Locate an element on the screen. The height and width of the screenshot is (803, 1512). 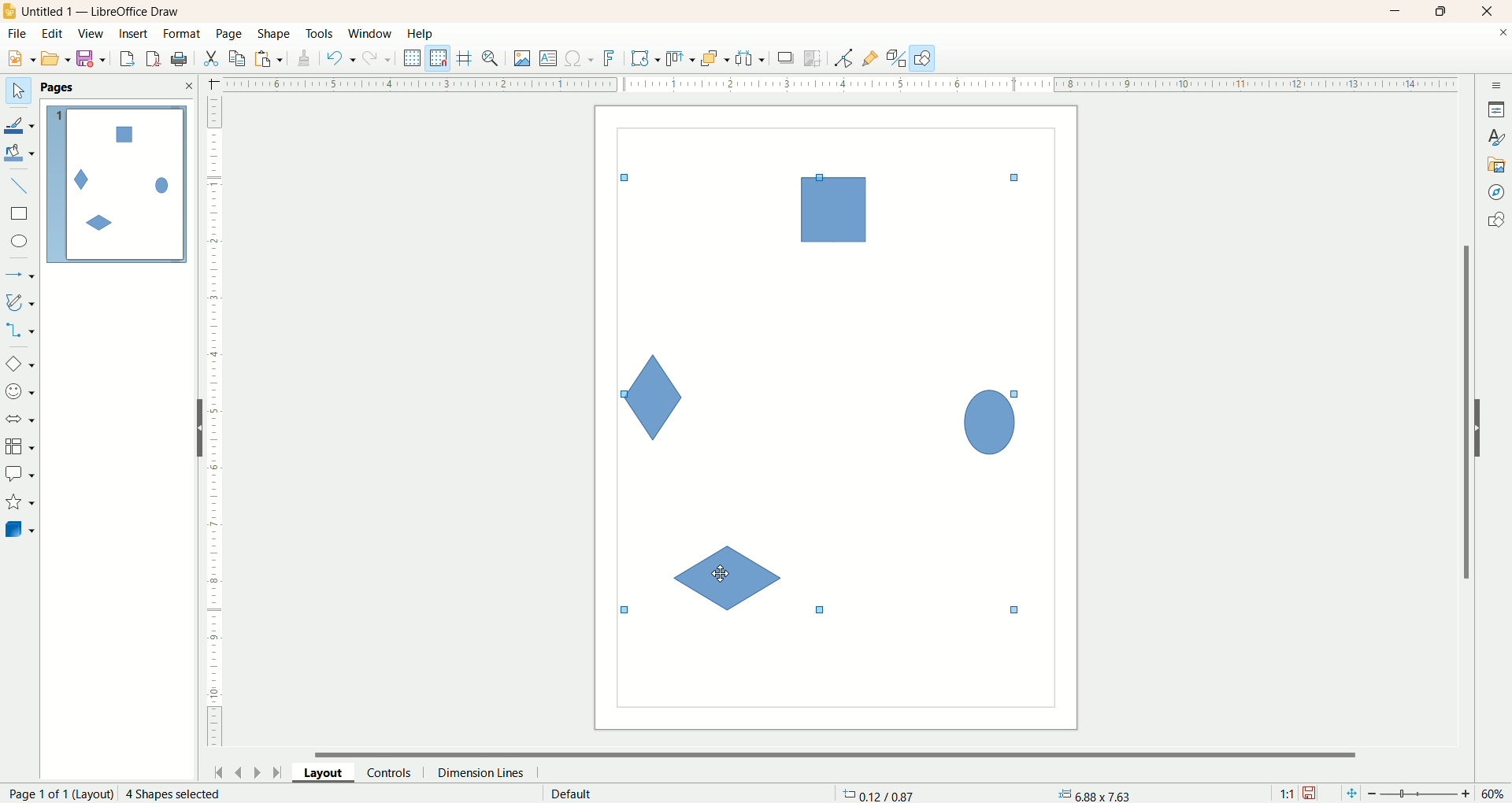
stars and banners is located at coordinates (19, 501).